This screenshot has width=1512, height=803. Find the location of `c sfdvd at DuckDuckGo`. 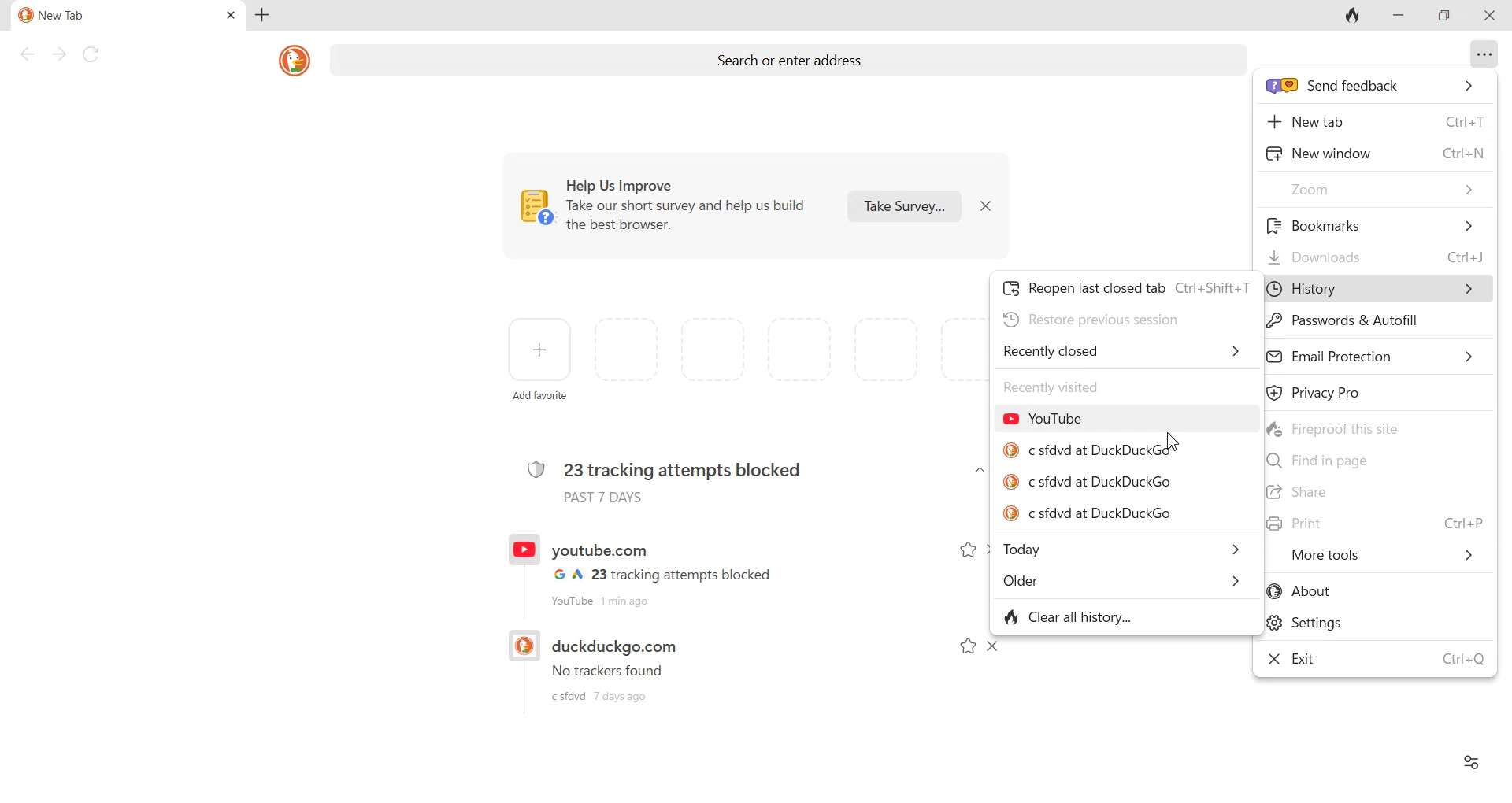

c sfdvd at DuckDuckGo is located at coordinates (1084, 512).